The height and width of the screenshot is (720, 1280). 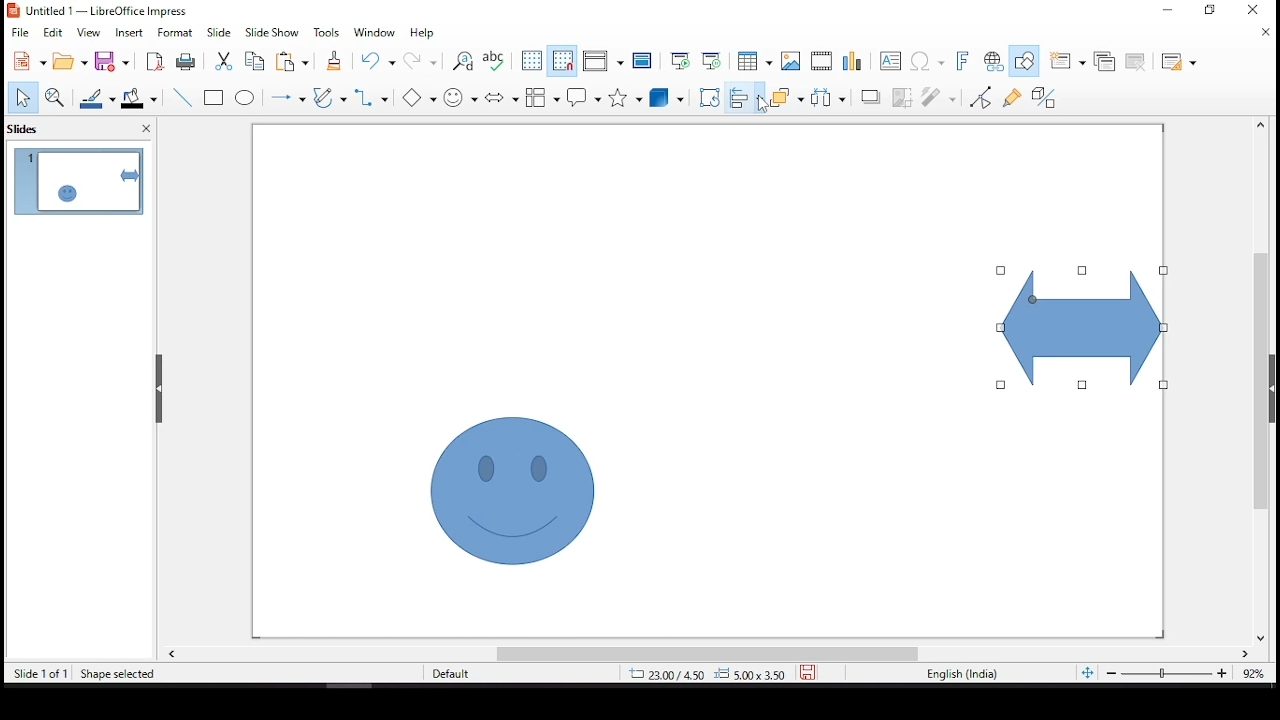 What do you see at coordinates (463, 62) in the screenshot?
I see `find and replace` at bounding box center [463, 62].